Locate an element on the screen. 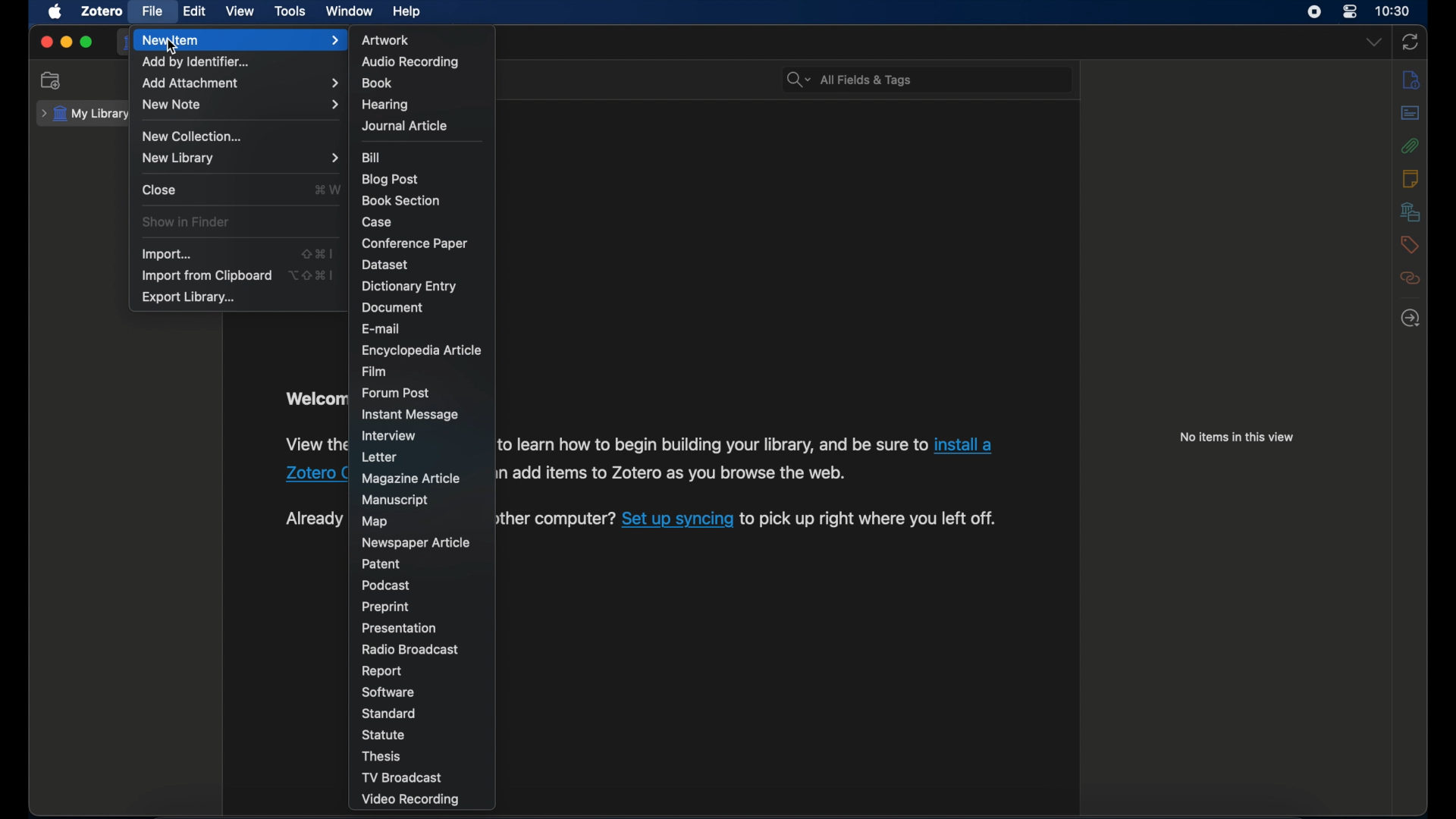  import is located at coordinates (167, 254).